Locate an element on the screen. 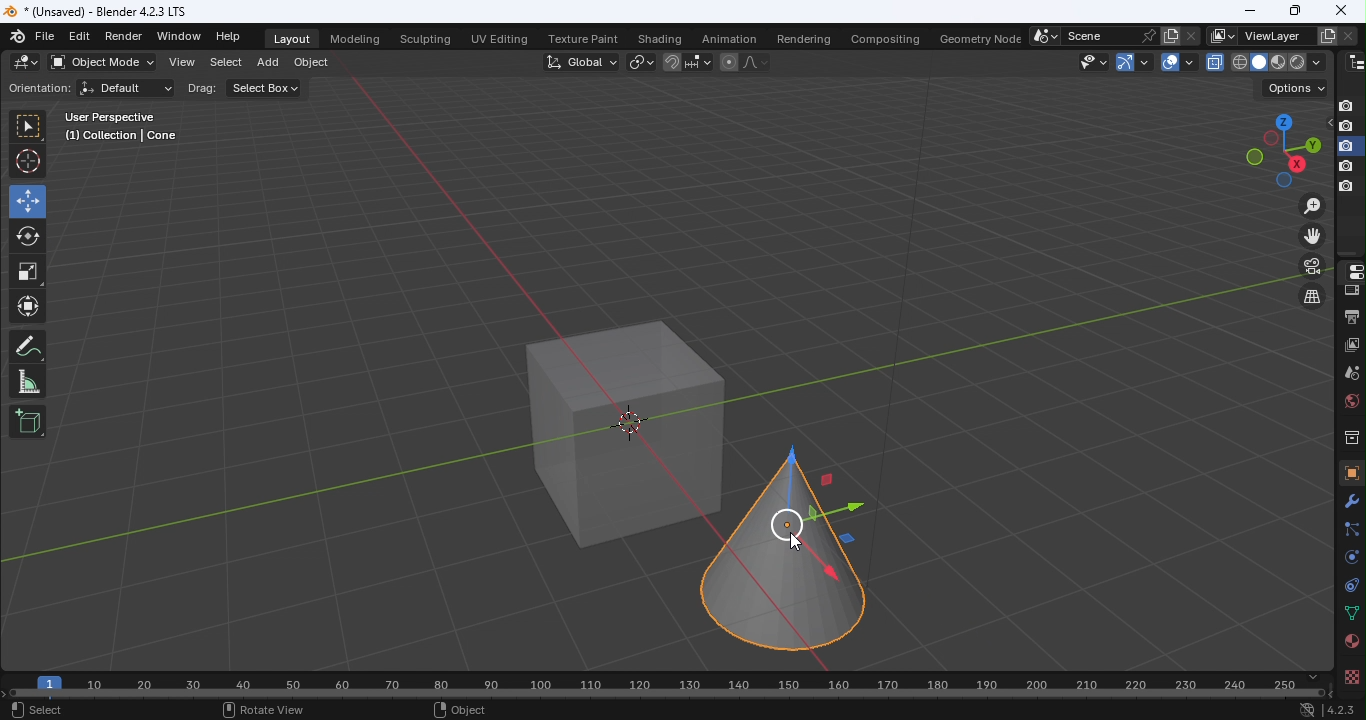  Output is located at coordinates (1349, 315).